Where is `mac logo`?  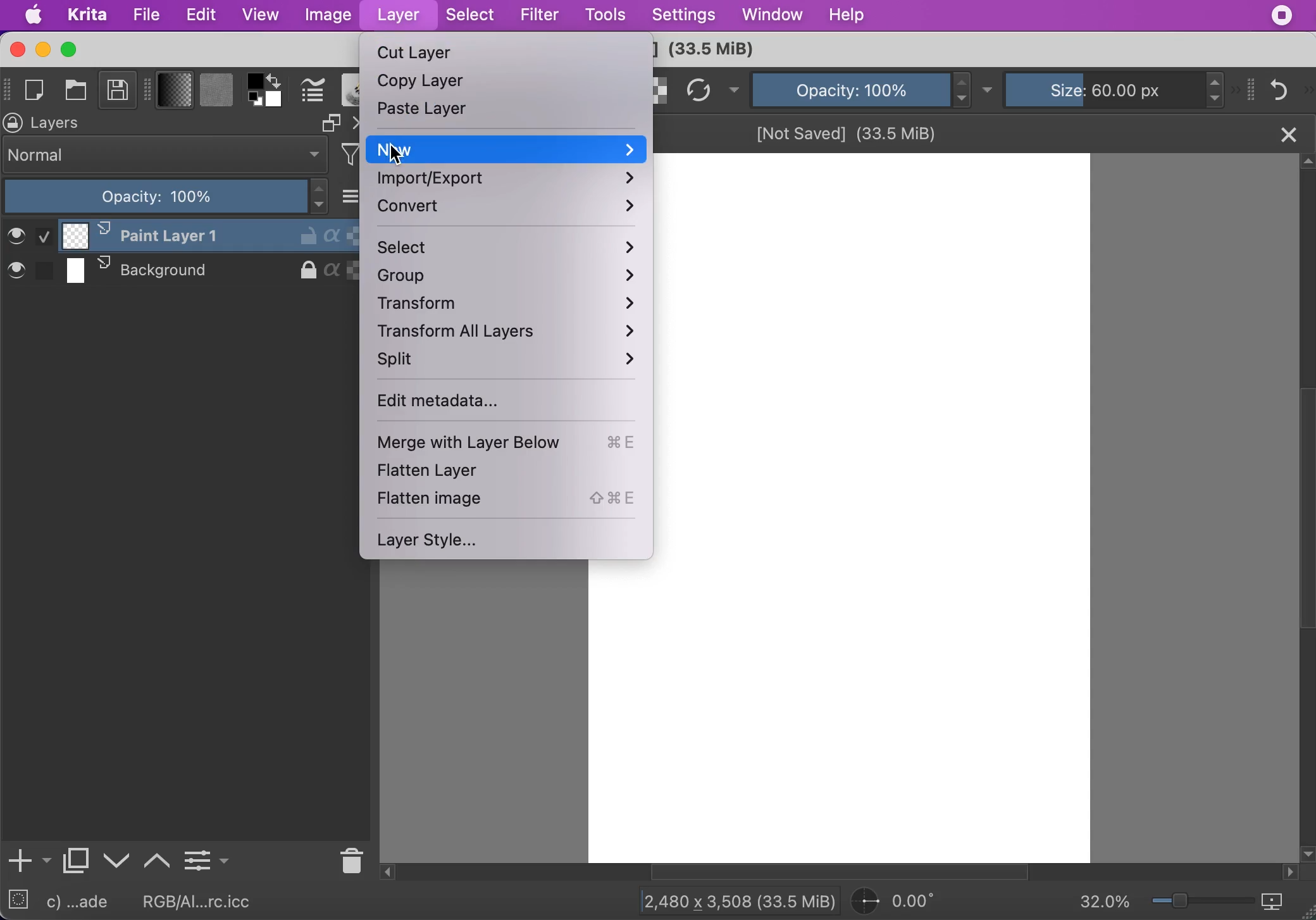 mac logo is located at coordinates (35, 16).